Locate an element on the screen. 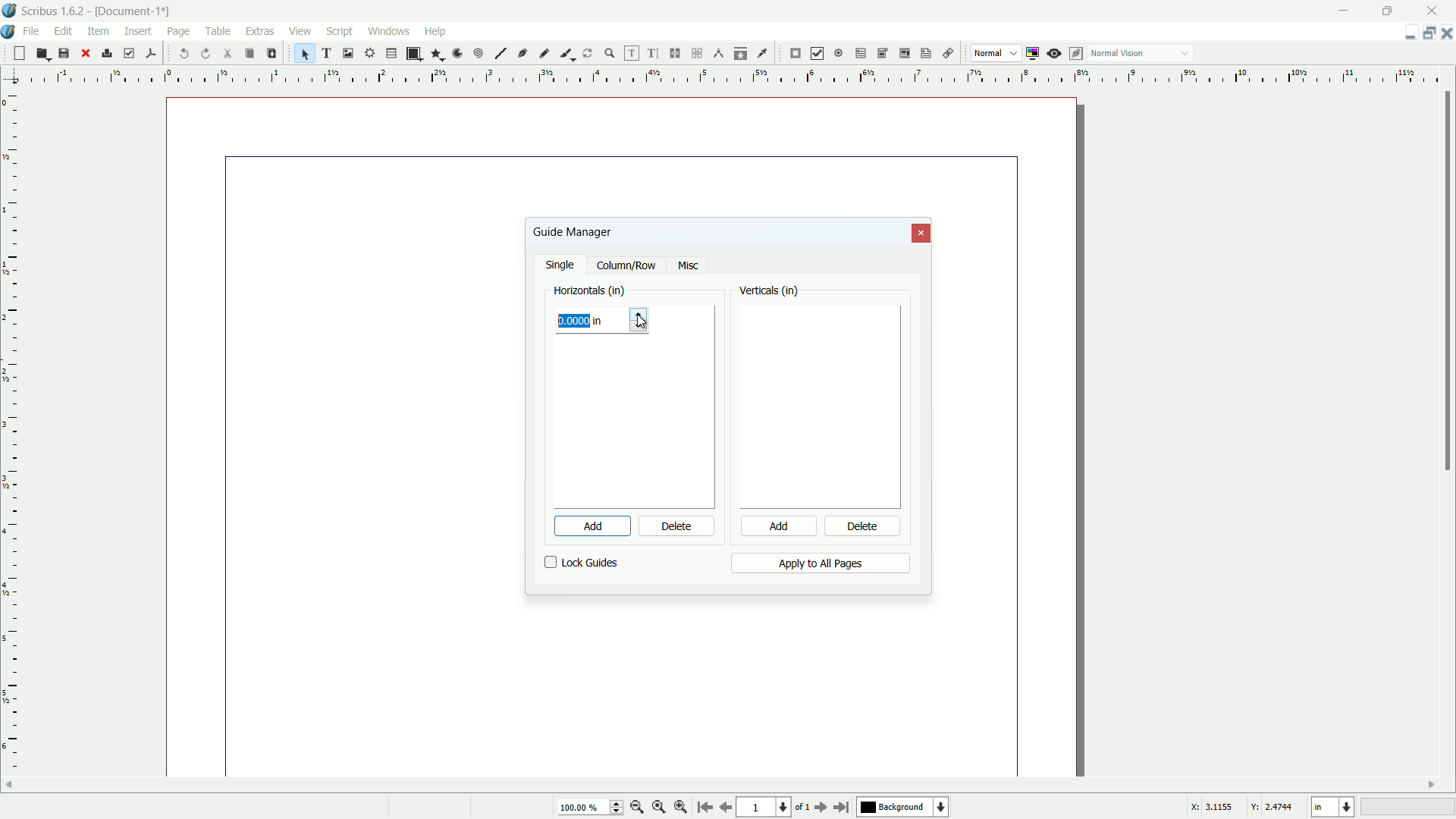  minimize is located at coordinates (1345, 10).